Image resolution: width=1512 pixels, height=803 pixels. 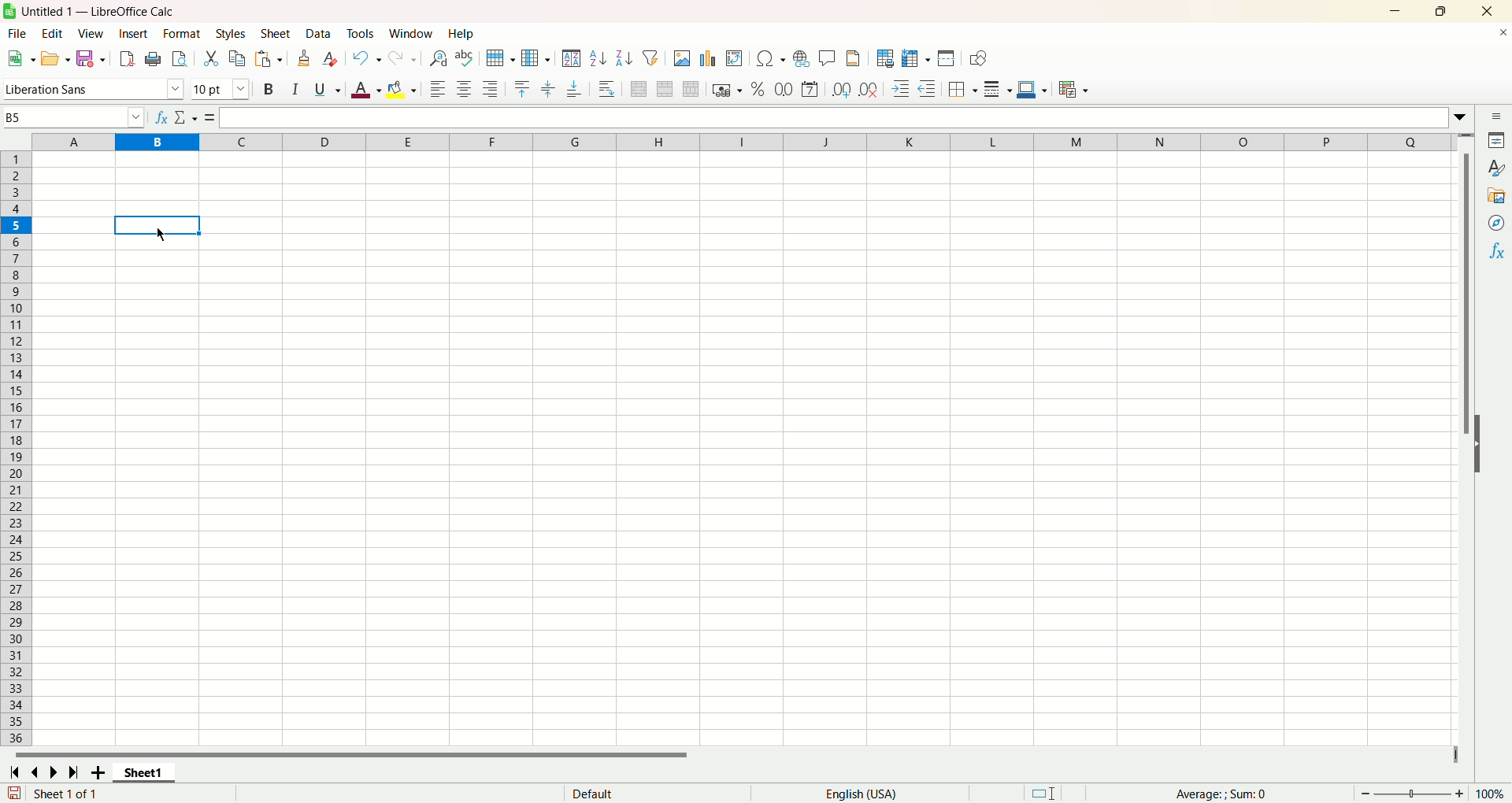 I want to click on scroll to last page, so click(x=74, y=772).